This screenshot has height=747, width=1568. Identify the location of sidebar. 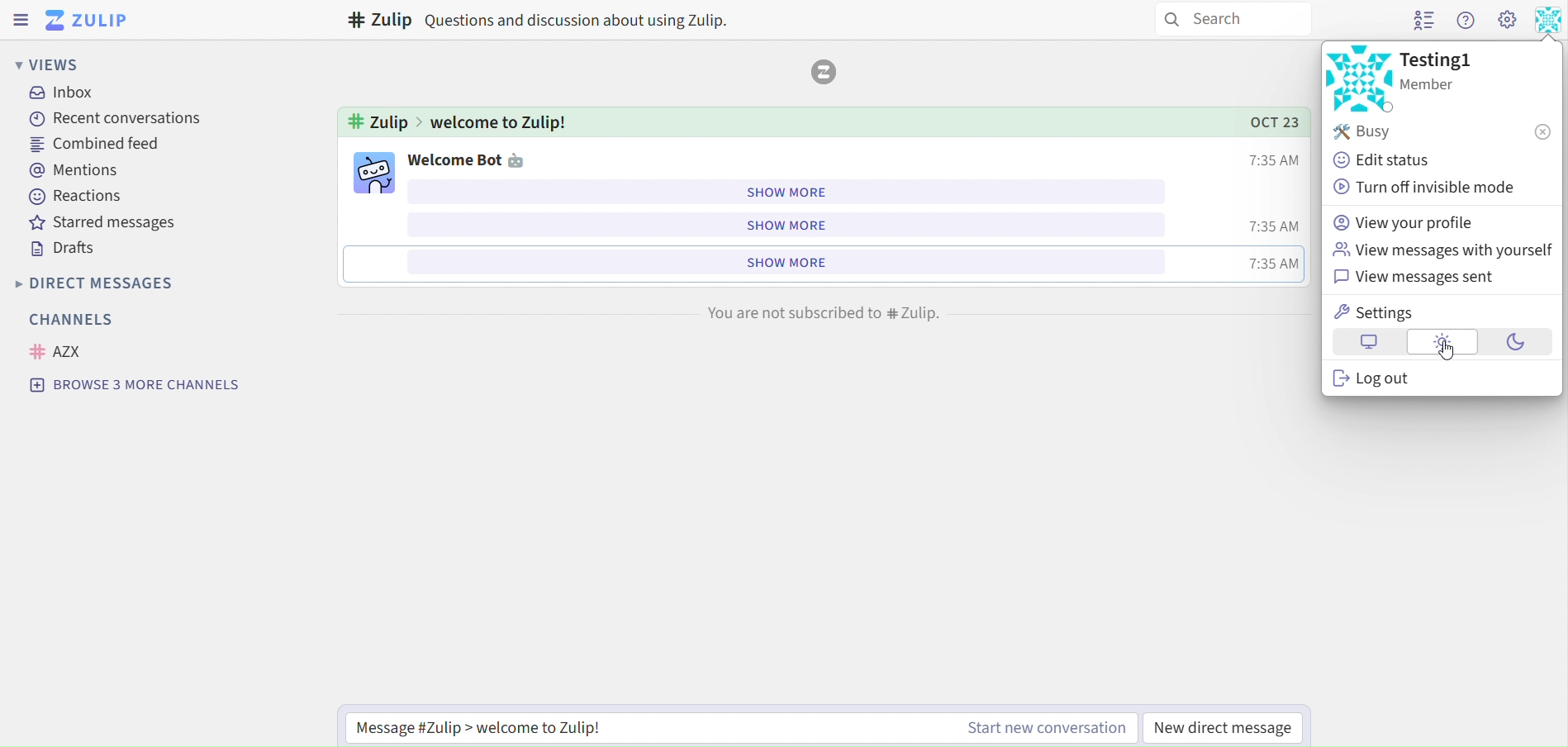
(18, 21).